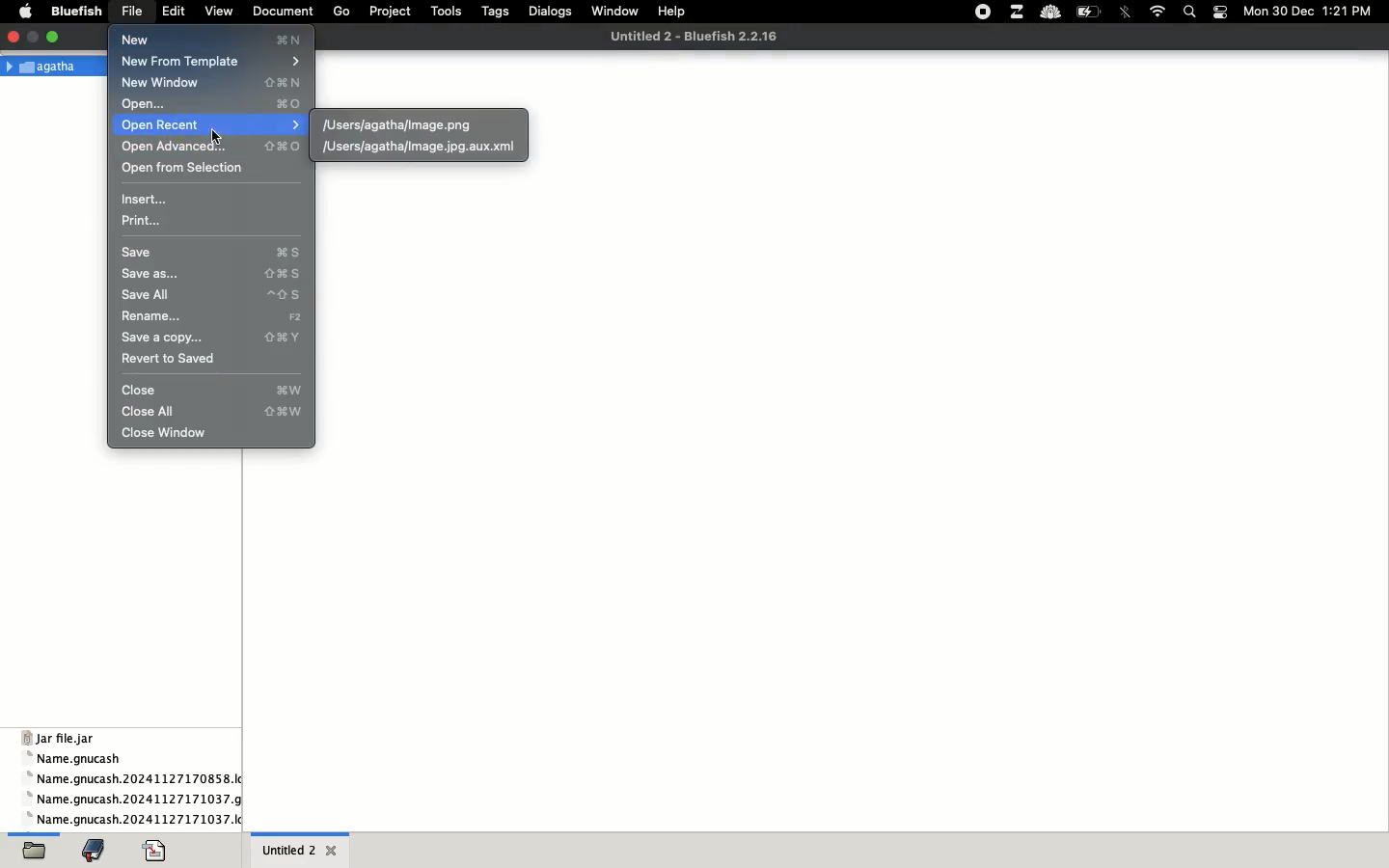 The image size is (1389, 868). What do you see at coordinates (215, 104) in the screenshot?
I see `open` at bounding box center [215, 104].